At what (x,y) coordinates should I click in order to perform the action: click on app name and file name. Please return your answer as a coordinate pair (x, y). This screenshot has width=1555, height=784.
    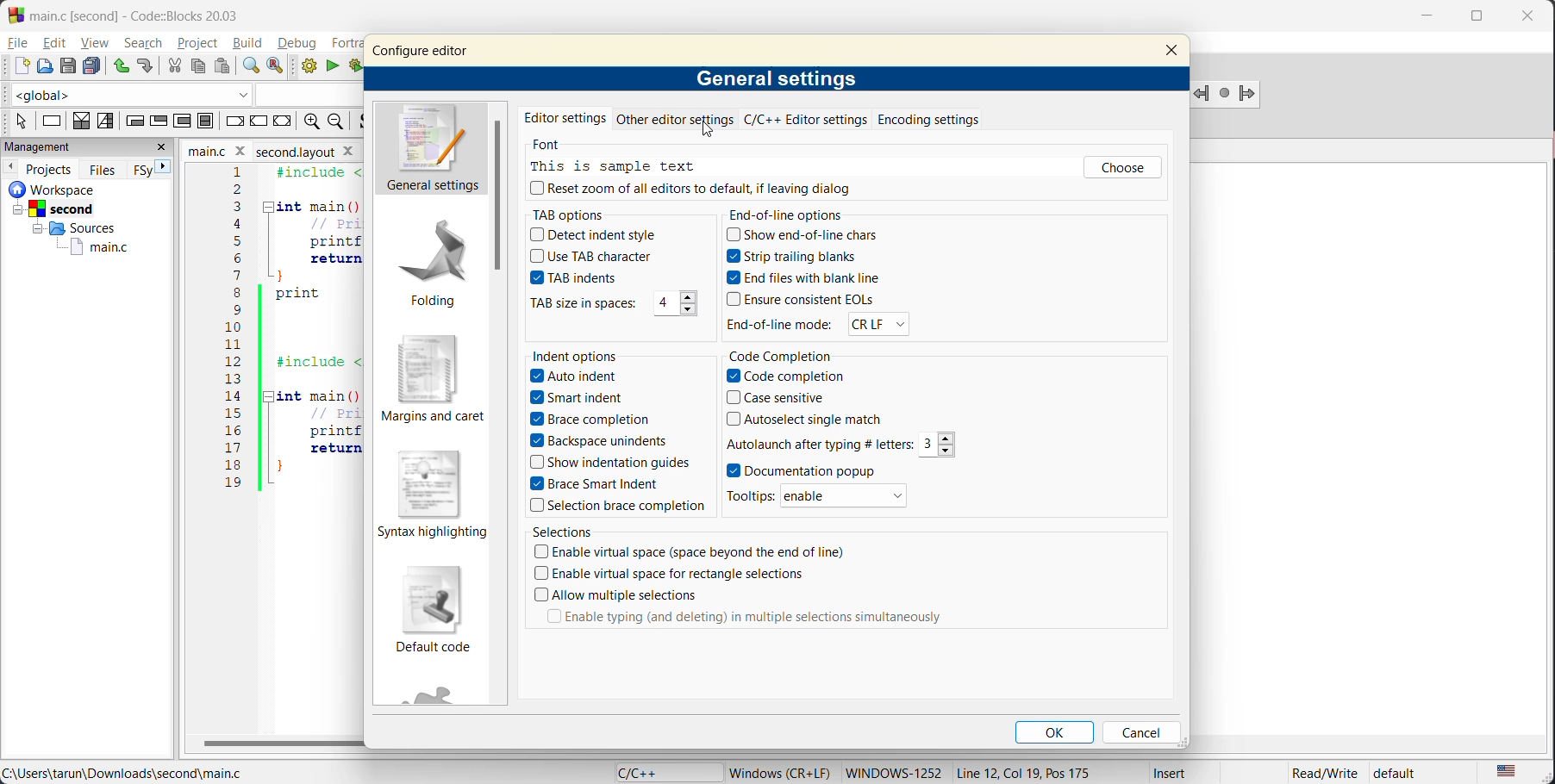
    Looking at the image, I should click on (150, 14).